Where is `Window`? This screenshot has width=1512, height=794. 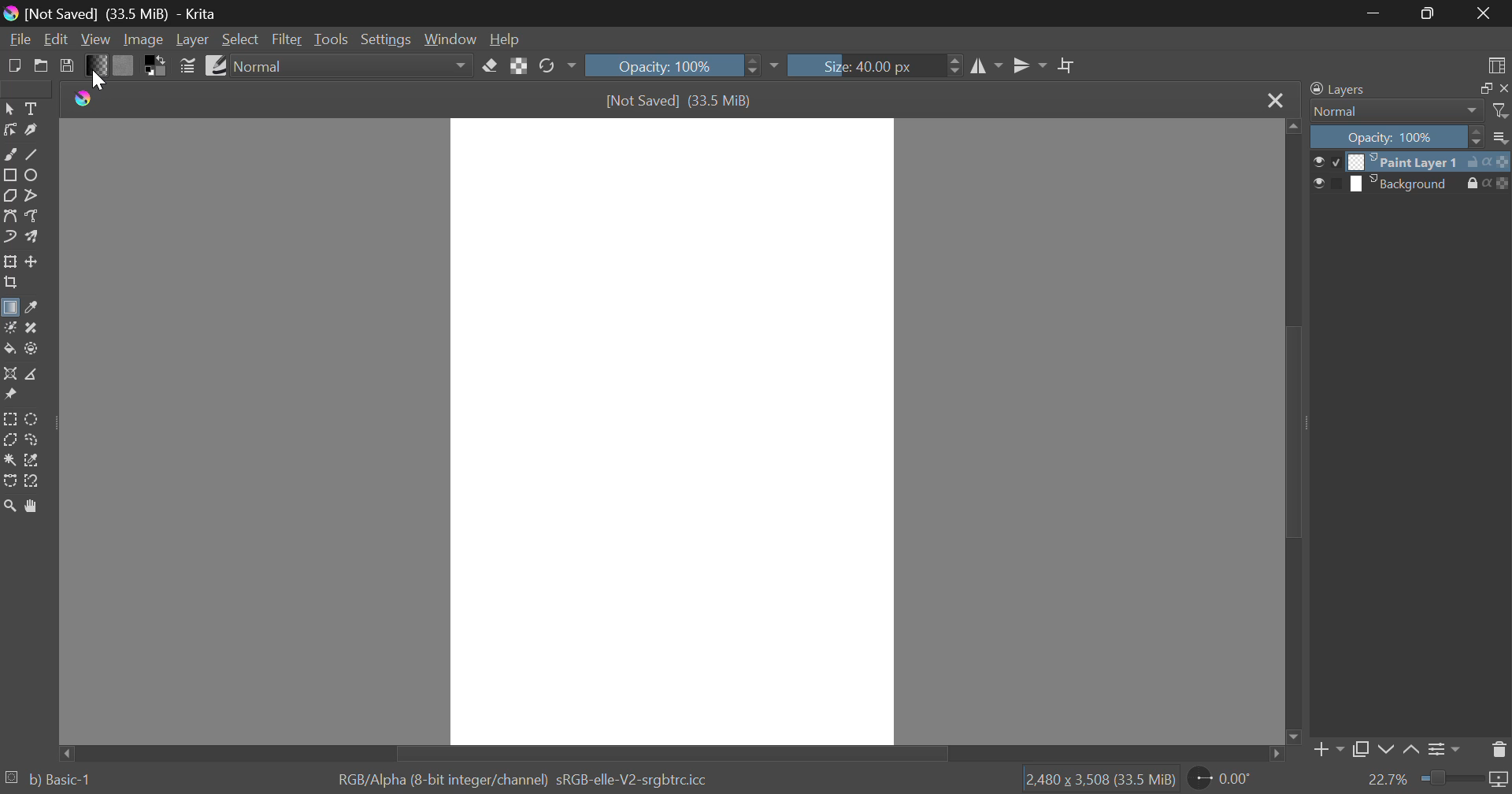 Window is located at coordinates (449, 39).